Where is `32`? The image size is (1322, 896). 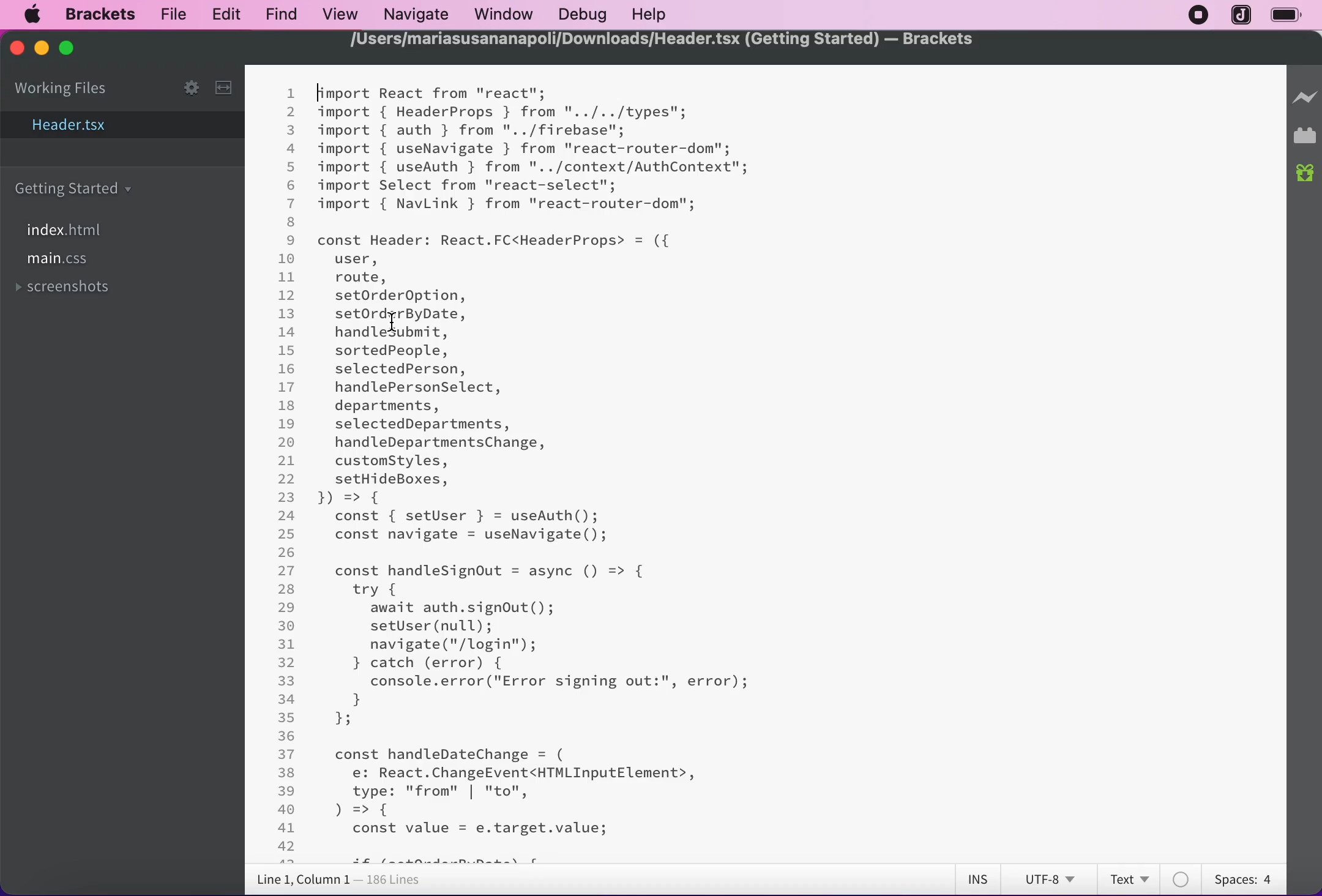 32 is located at coordinates (285, 662).